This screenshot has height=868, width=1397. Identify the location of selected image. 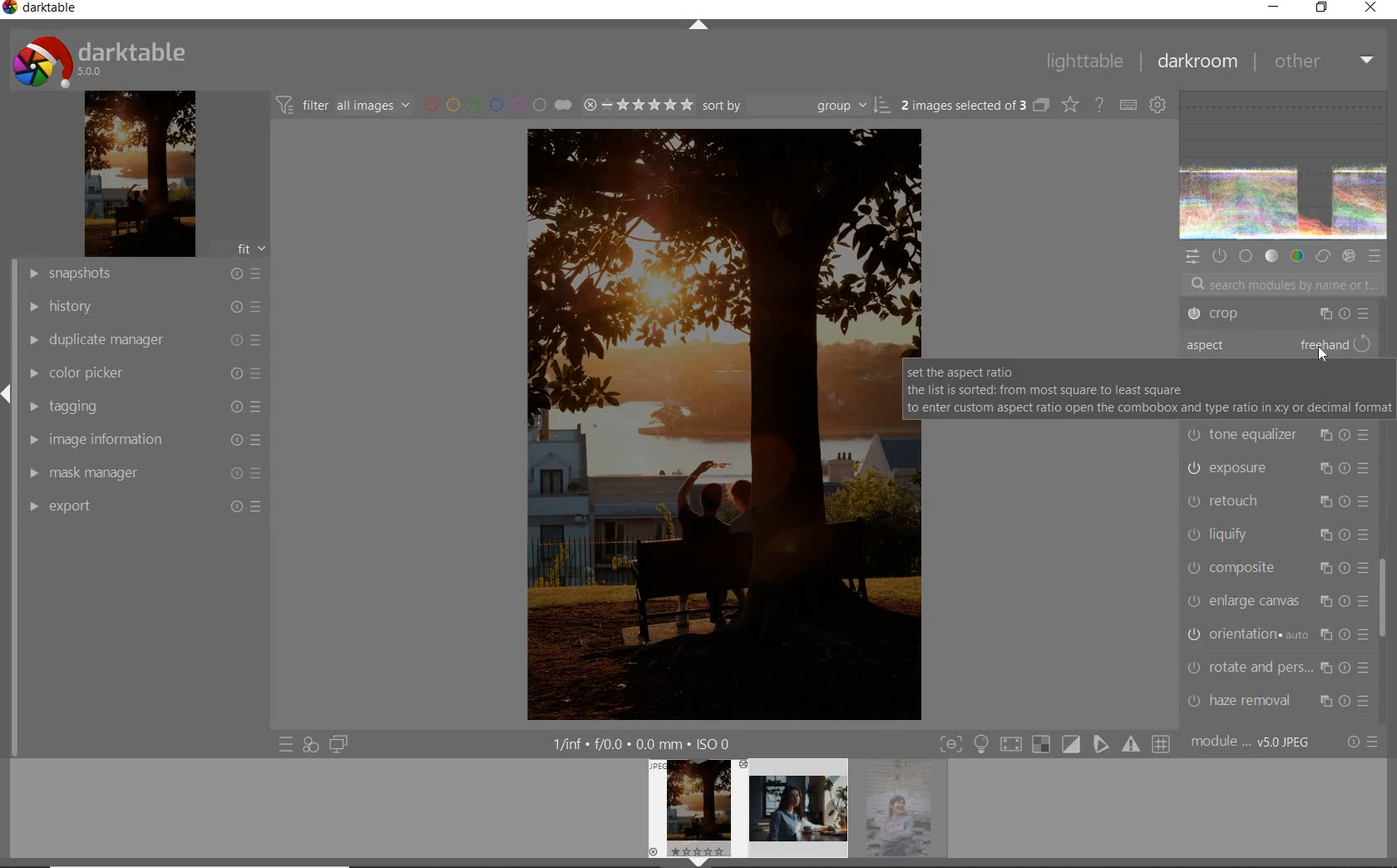
(699, 423).